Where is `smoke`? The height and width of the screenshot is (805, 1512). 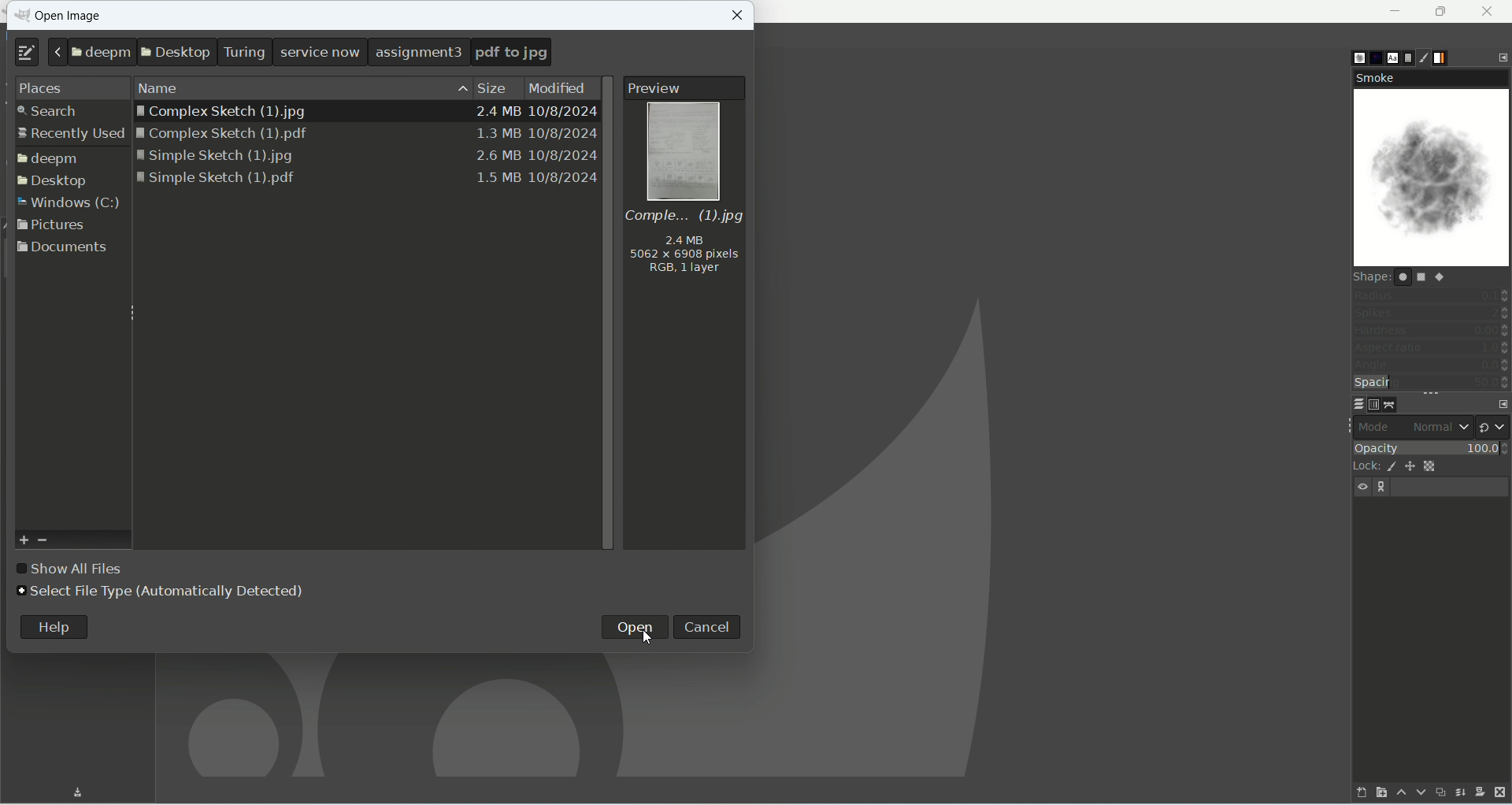
smoke is located at coordinates (1430, 78).